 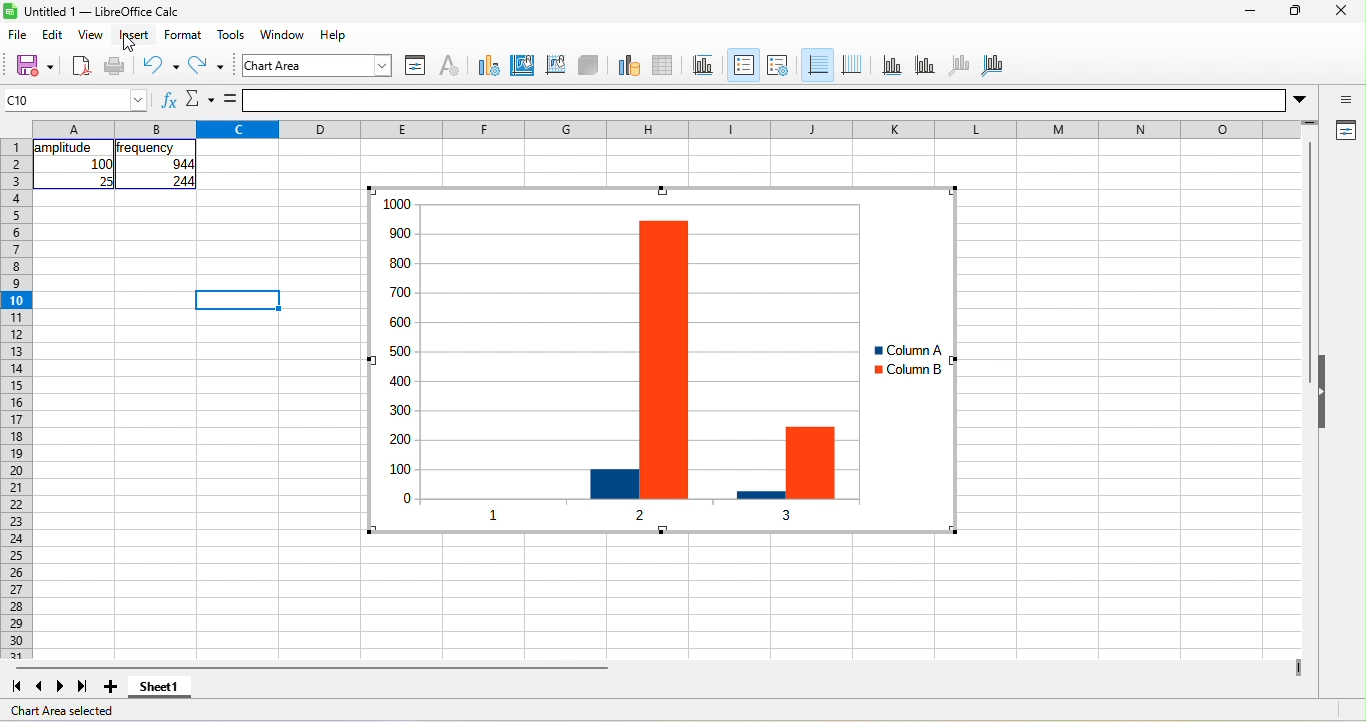 I want to click on horizontal scroll bar, so click(x=311, y=668).